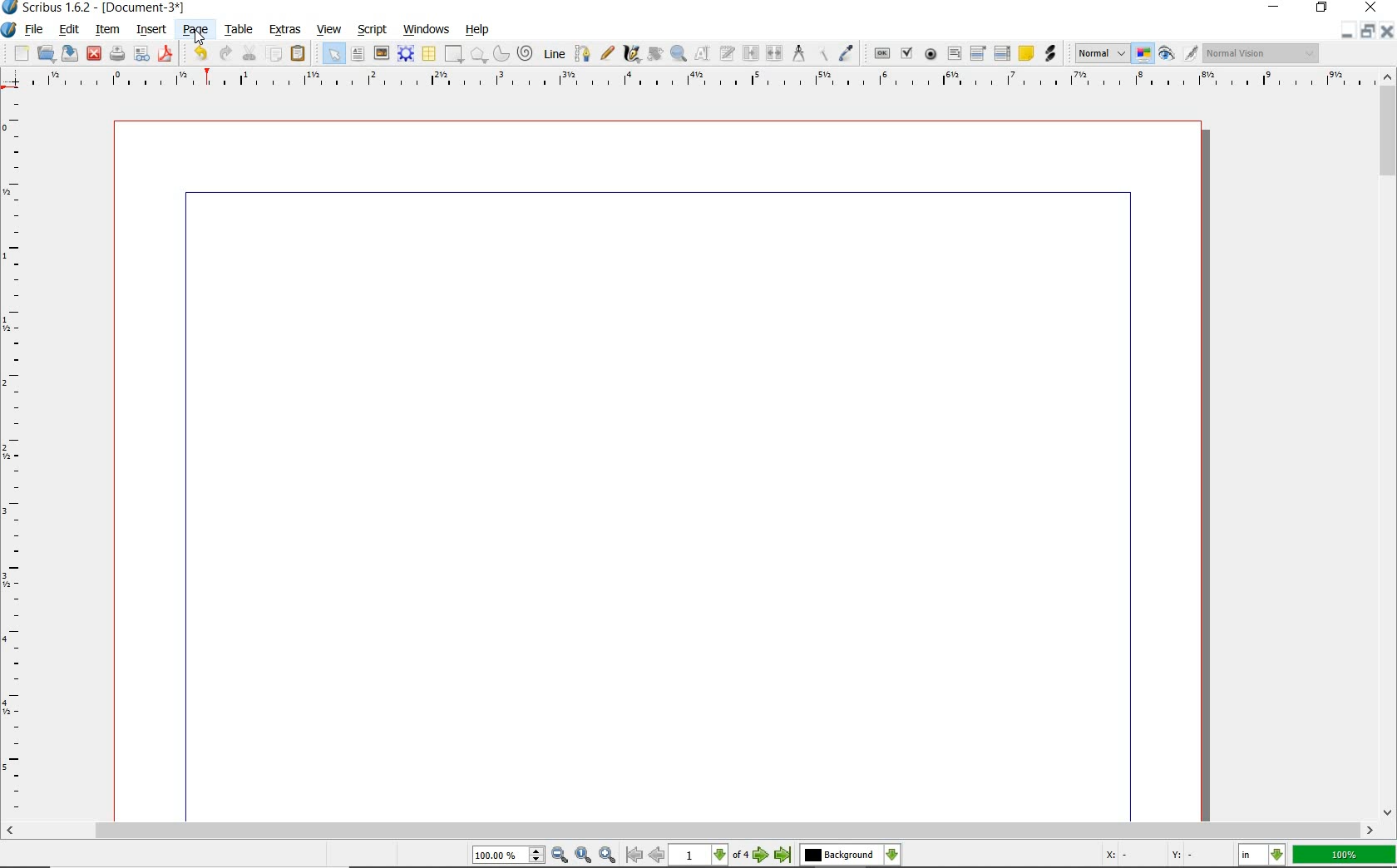  What do you see at coordinates (329, 29) in the screenshot?
I see `view` at bounding box center [329, 29].